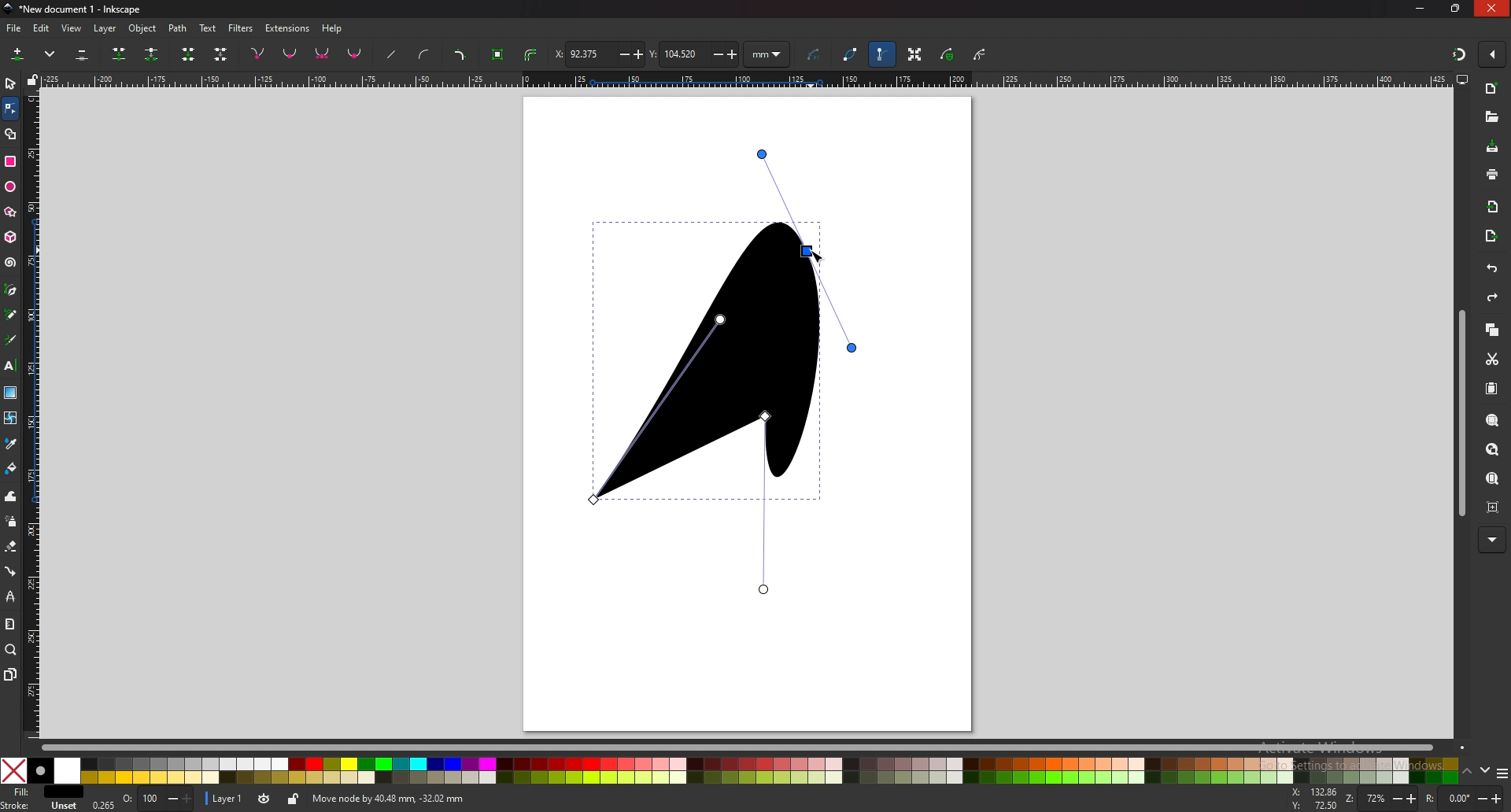 The height and width of the screenshot is (812, 1511). What do you see at coordinates (694, 53) in the screenshot?
I see `y coordinate` at bounding box center [694, 53].